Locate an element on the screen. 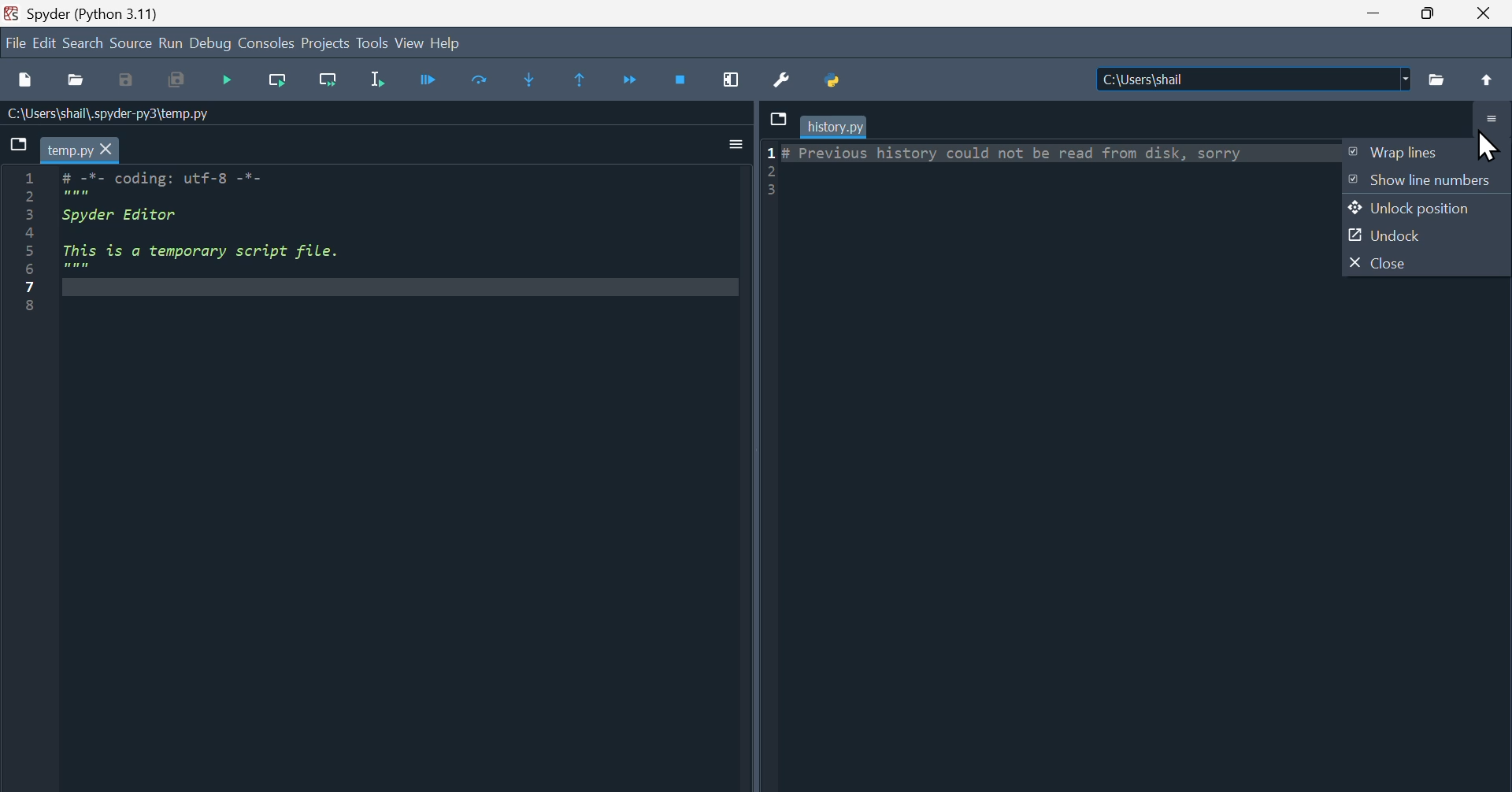 The width and height of the screenshot is (1512, 792).  # -*- coding: utf-8 -*- """ Spyder Editor  This is a temporary script file. """ is located at coordinates (398, 235).